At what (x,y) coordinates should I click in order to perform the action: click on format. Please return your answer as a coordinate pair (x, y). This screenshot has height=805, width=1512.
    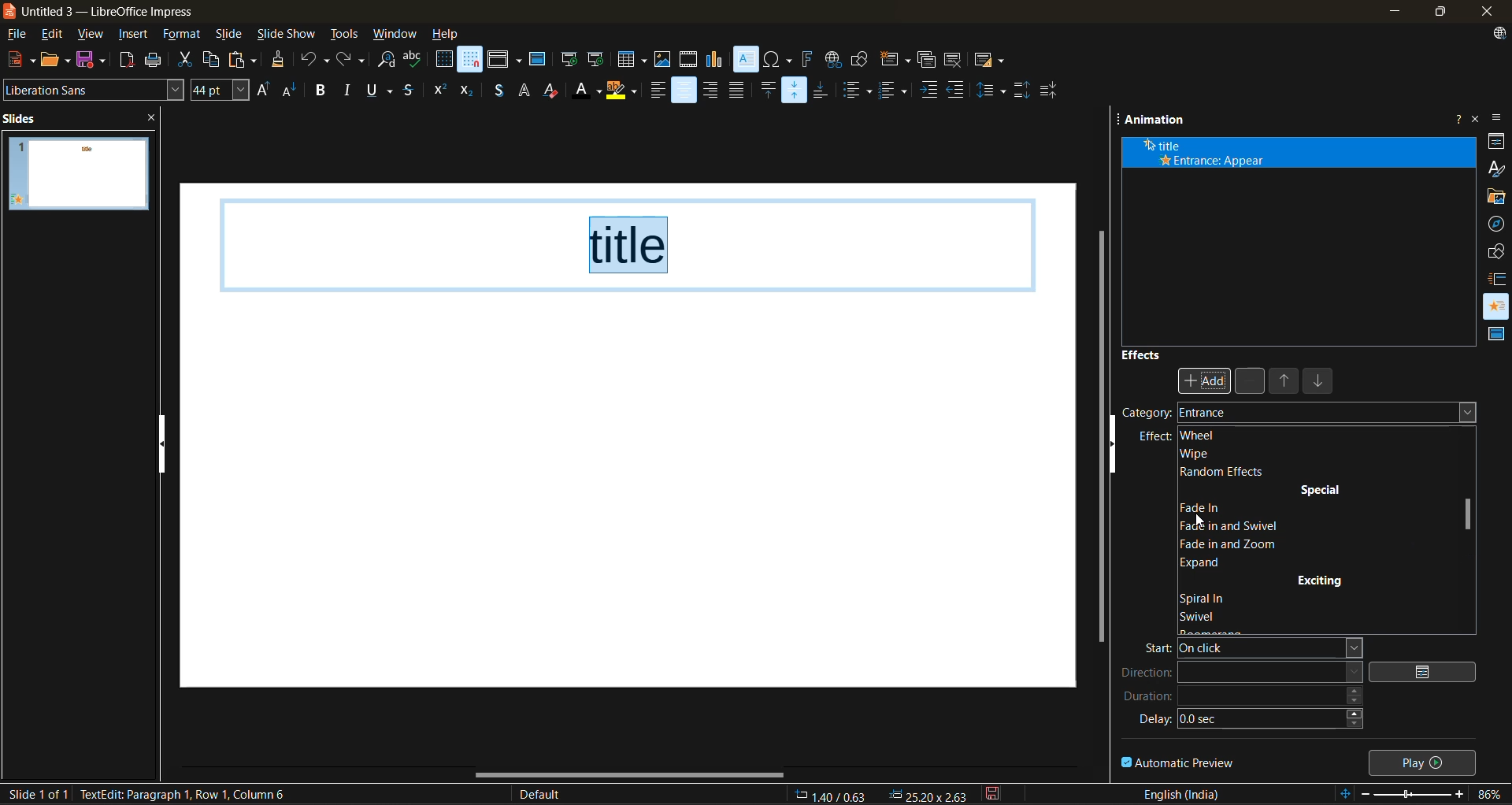
    Looking at the image, I should click on (182, 36).